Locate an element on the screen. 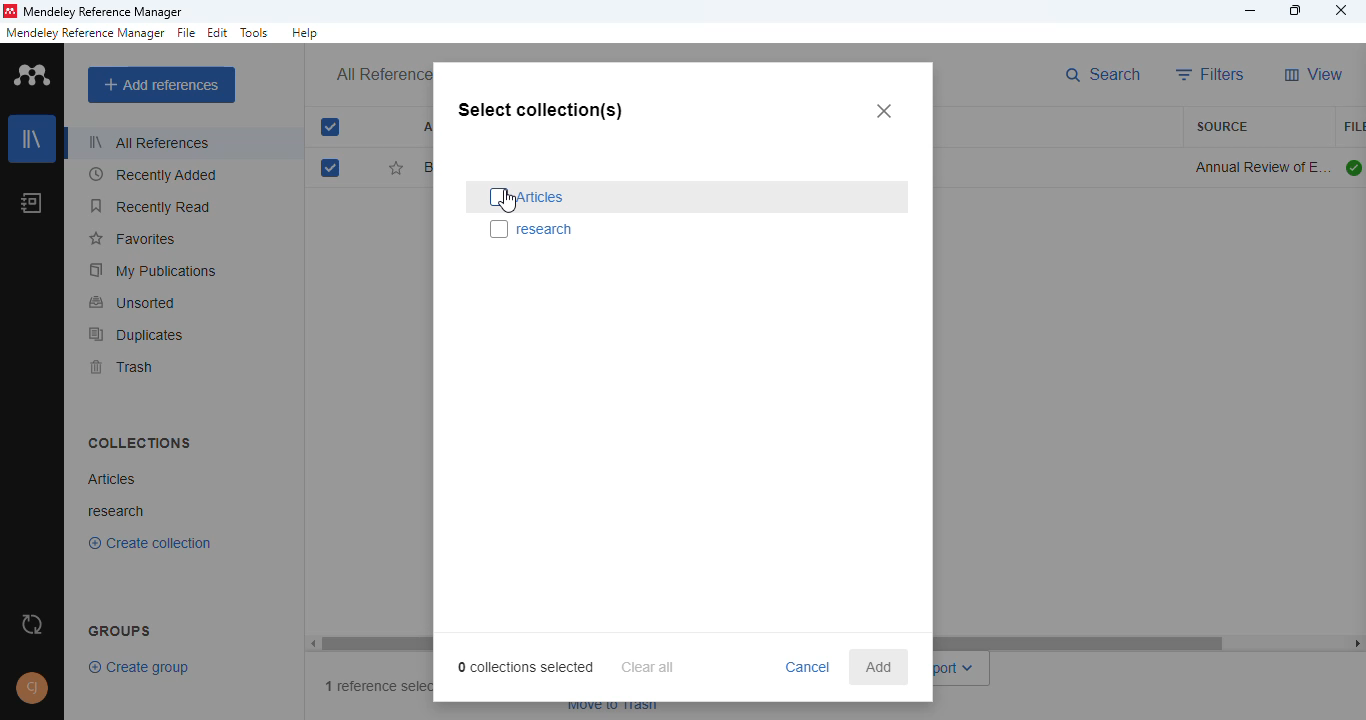 The width and height of the screenshot is (1366, 720). unsorted is located at coordinates (134, 303).